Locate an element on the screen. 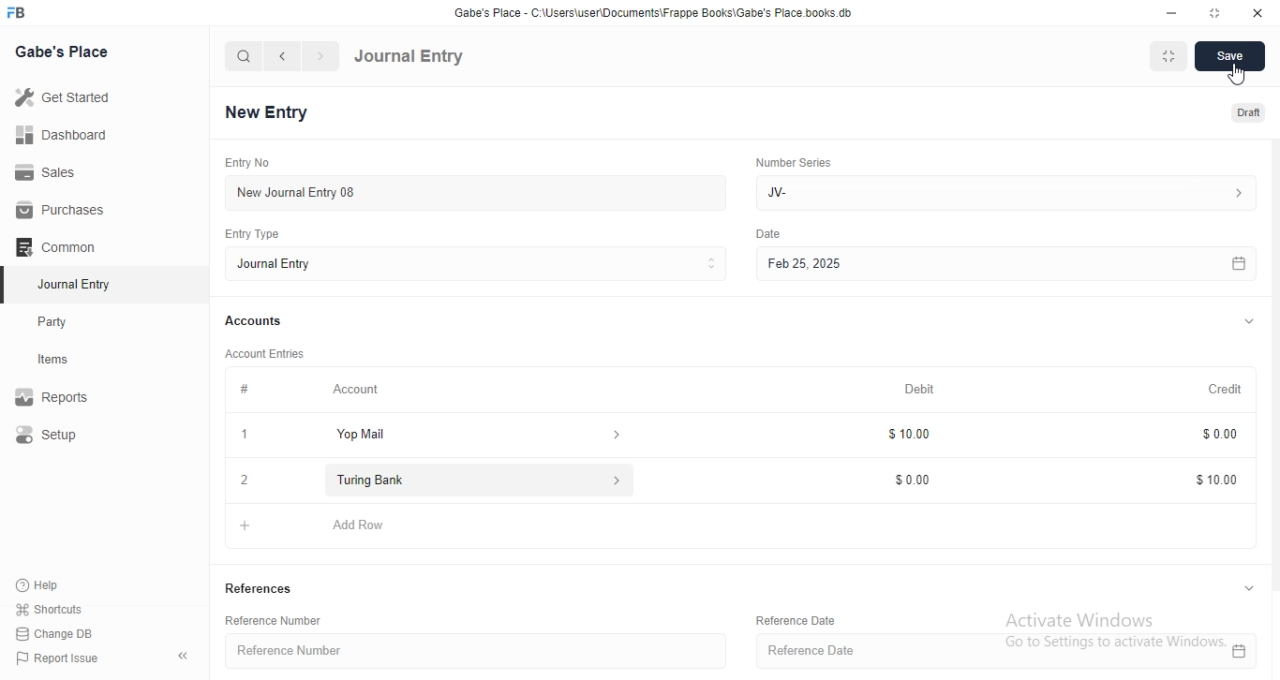  # is located at coordinates (243, 390).